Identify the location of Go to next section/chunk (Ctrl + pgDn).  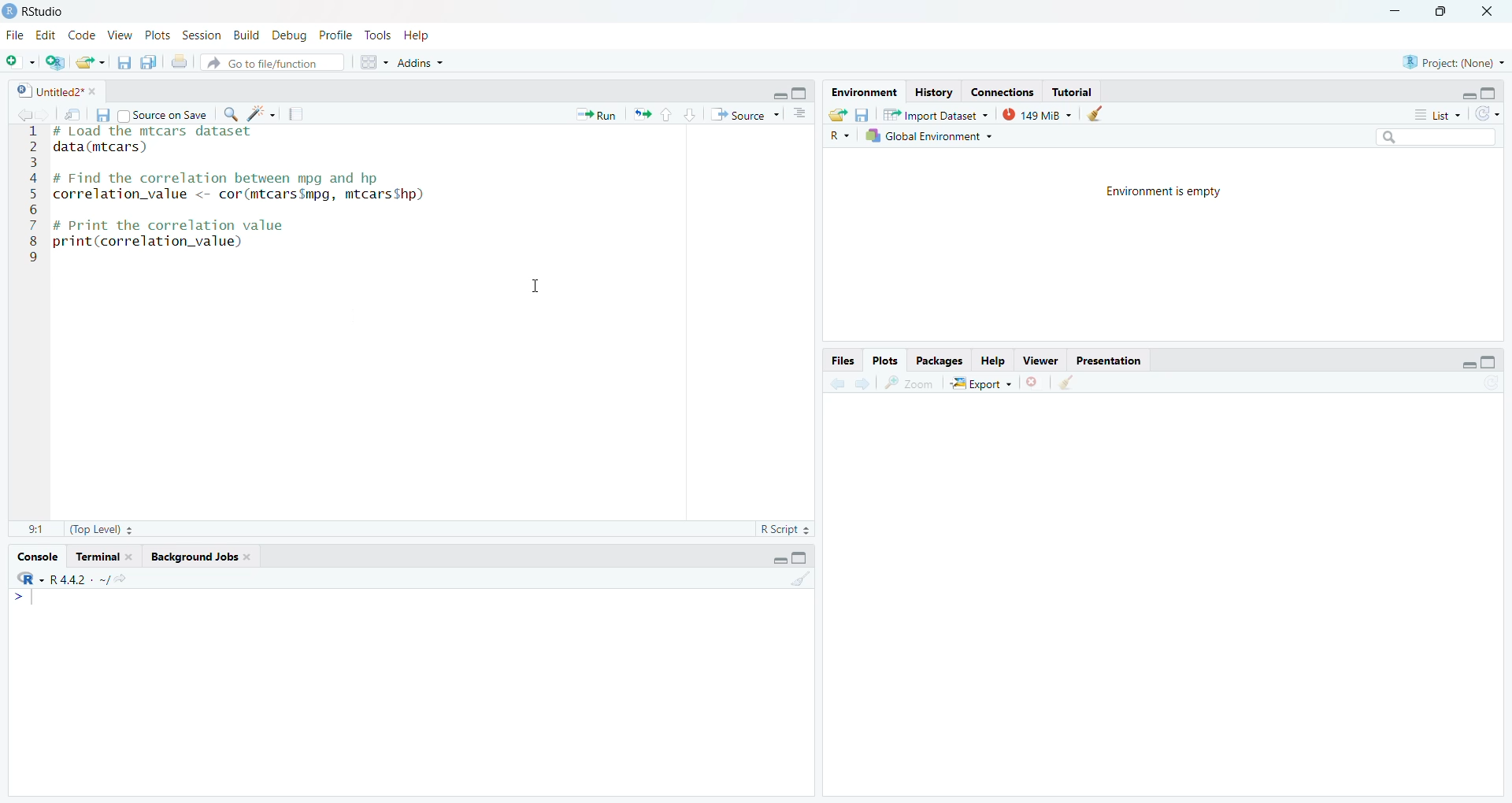
(691, 113).